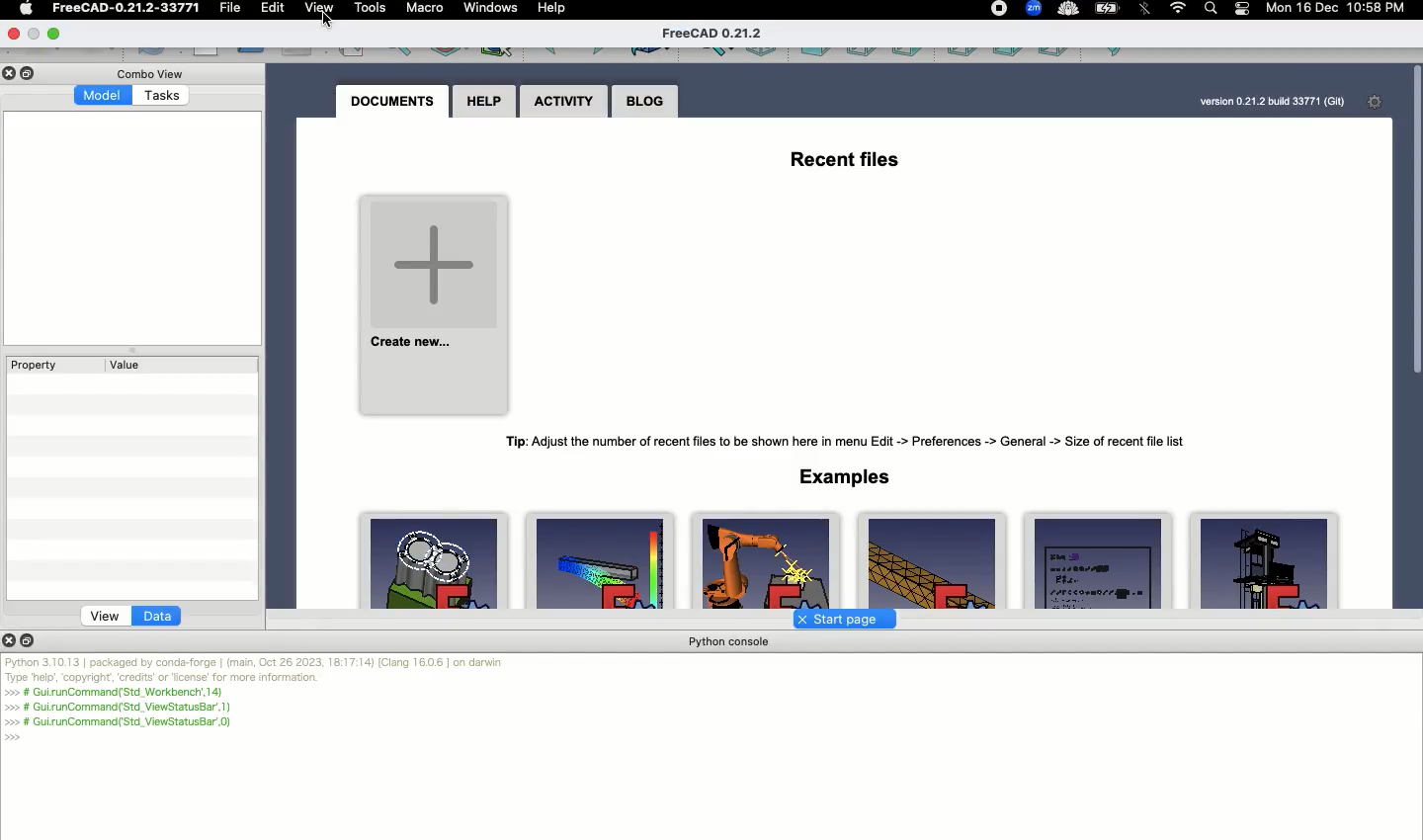  What do you see at coordinates (769, 560) in the screenshot?
I see `Robot example.FCStd Jurgen Riegel 199Kb` at bounding box center [769, 560].